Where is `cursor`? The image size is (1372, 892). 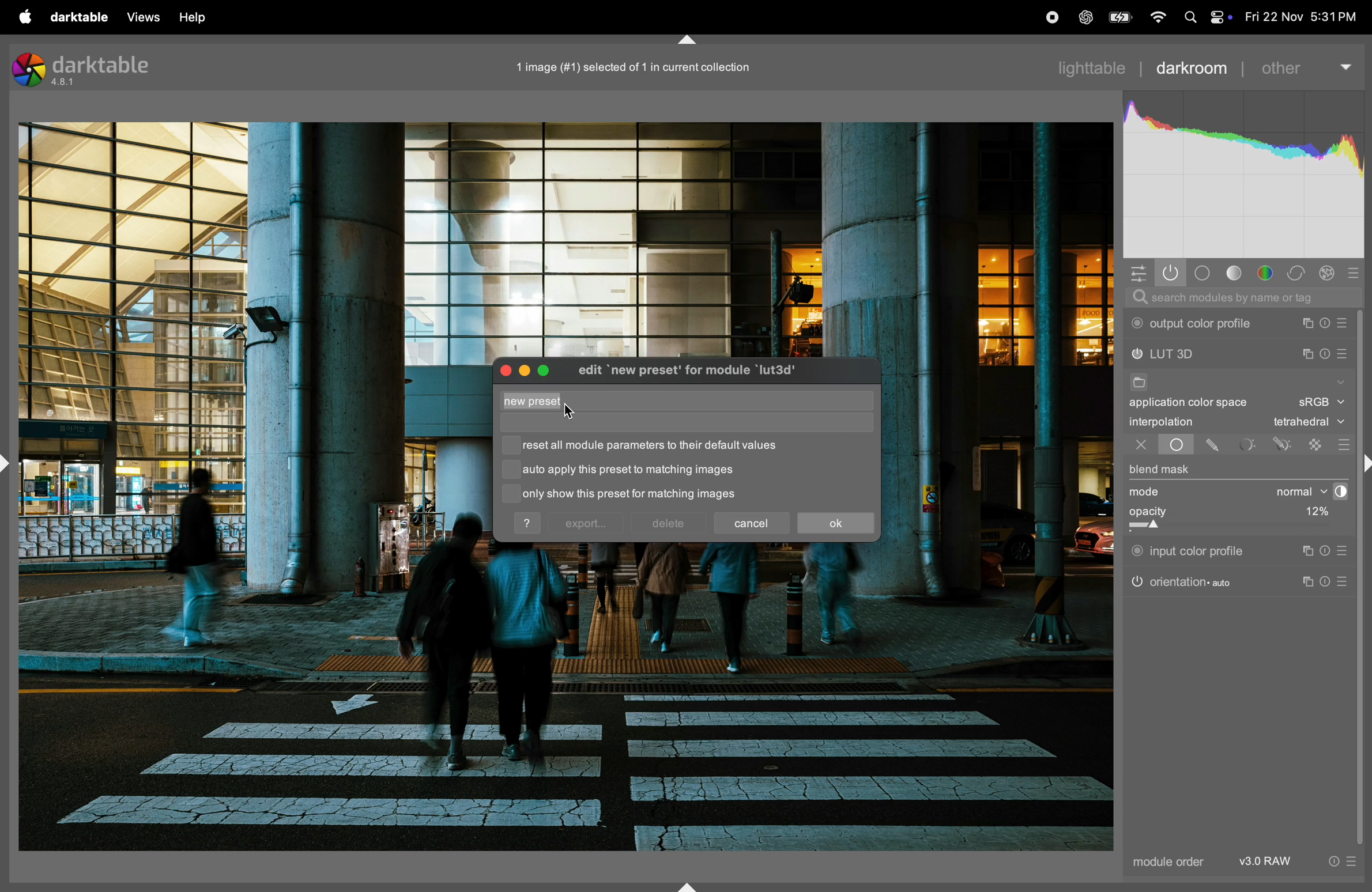
cursor is located at coordinates (570, 411).